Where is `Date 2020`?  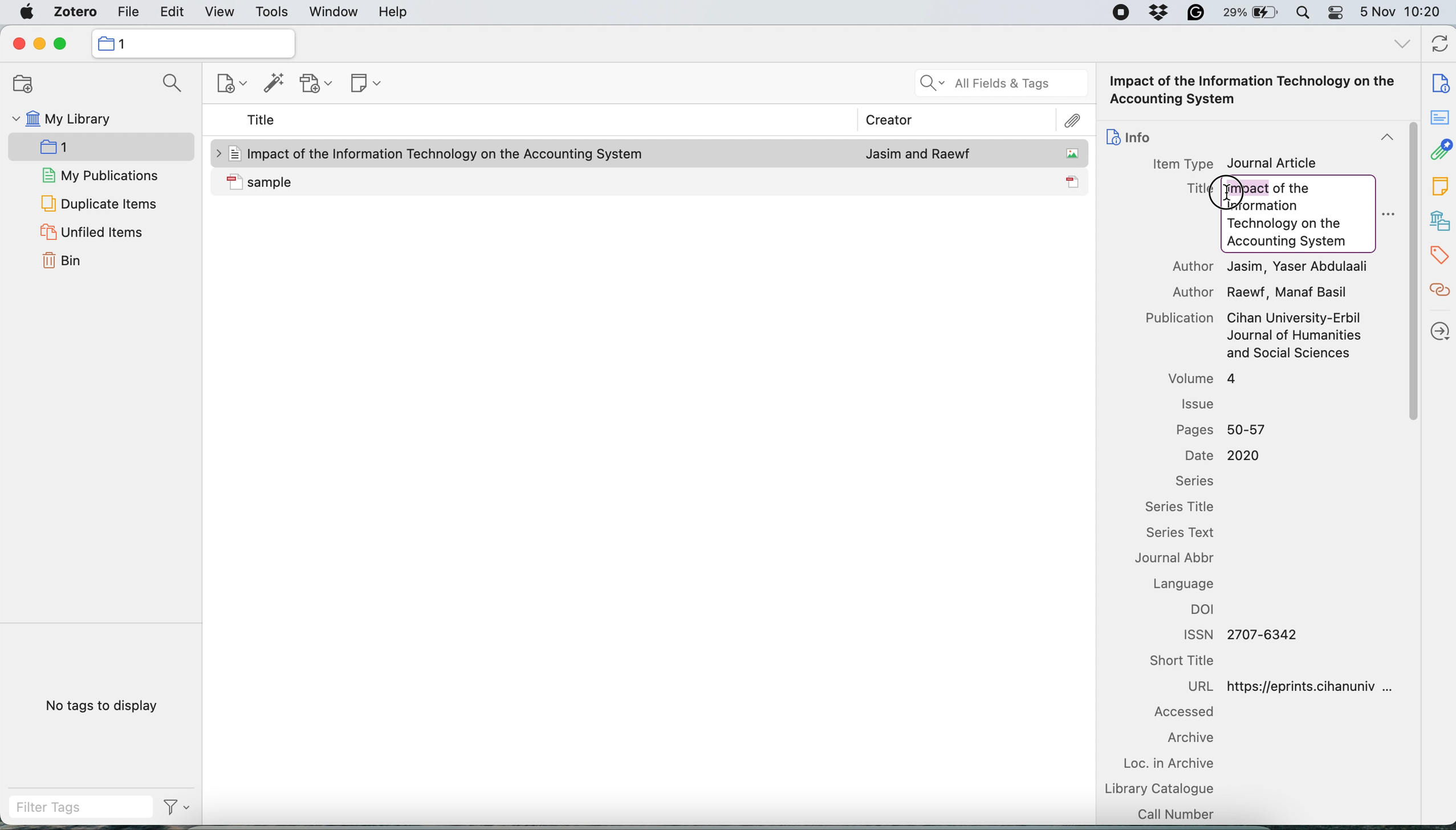 Date 2020 is located at coordinates (1228, 456).